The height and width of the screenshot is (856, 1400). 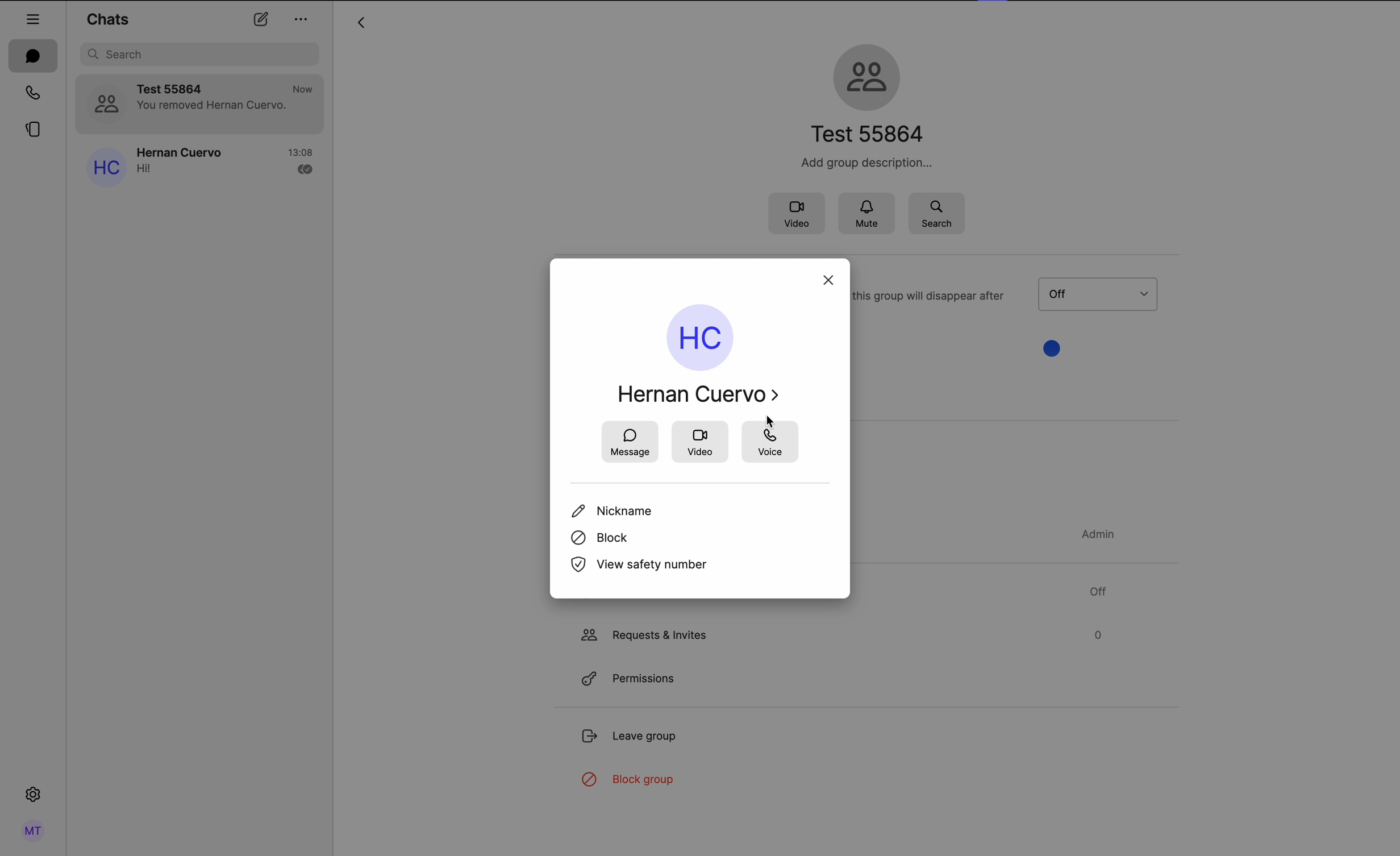 What do you see at coordinates (631, 442) in the screenshot?
I see `message button` at bounding box center [631, 442].